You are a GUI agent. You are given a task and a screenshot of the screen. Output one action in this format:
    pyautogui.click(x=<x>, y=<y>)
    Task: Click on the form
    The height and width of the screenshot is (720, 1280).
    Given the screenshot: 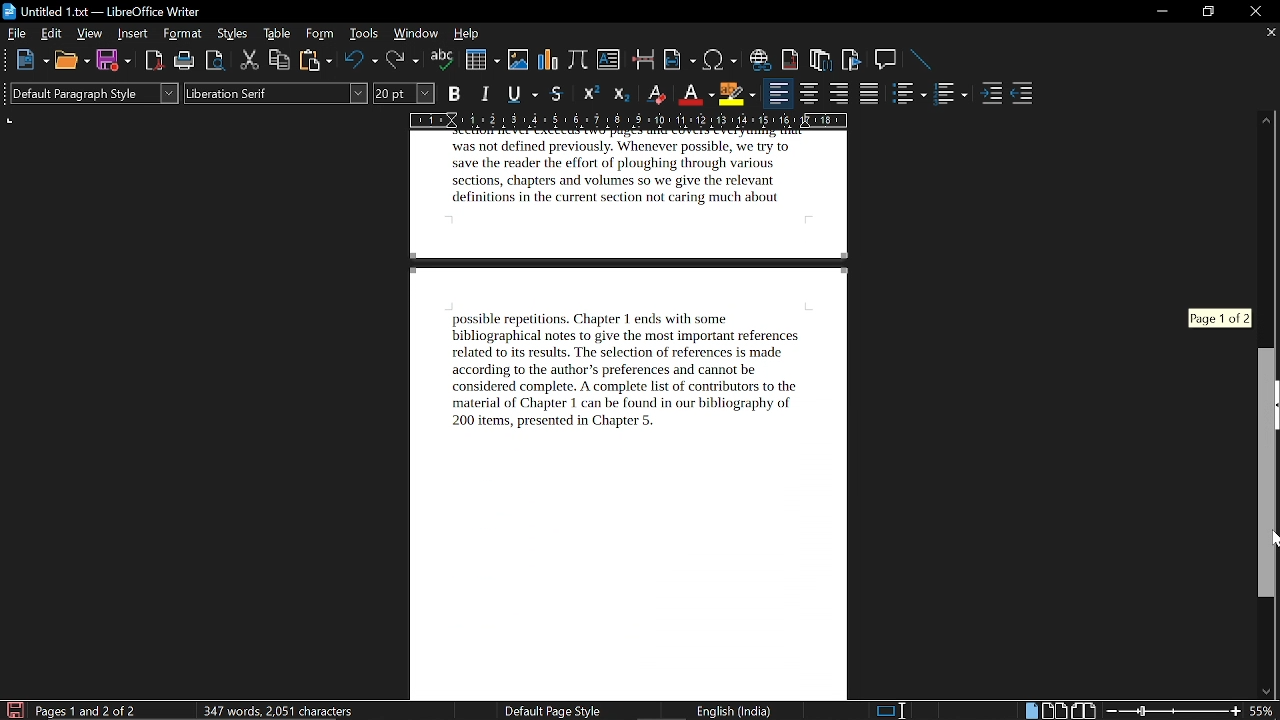 What is the action you would take?
    pyautogui.click(x=321, y=35)
    